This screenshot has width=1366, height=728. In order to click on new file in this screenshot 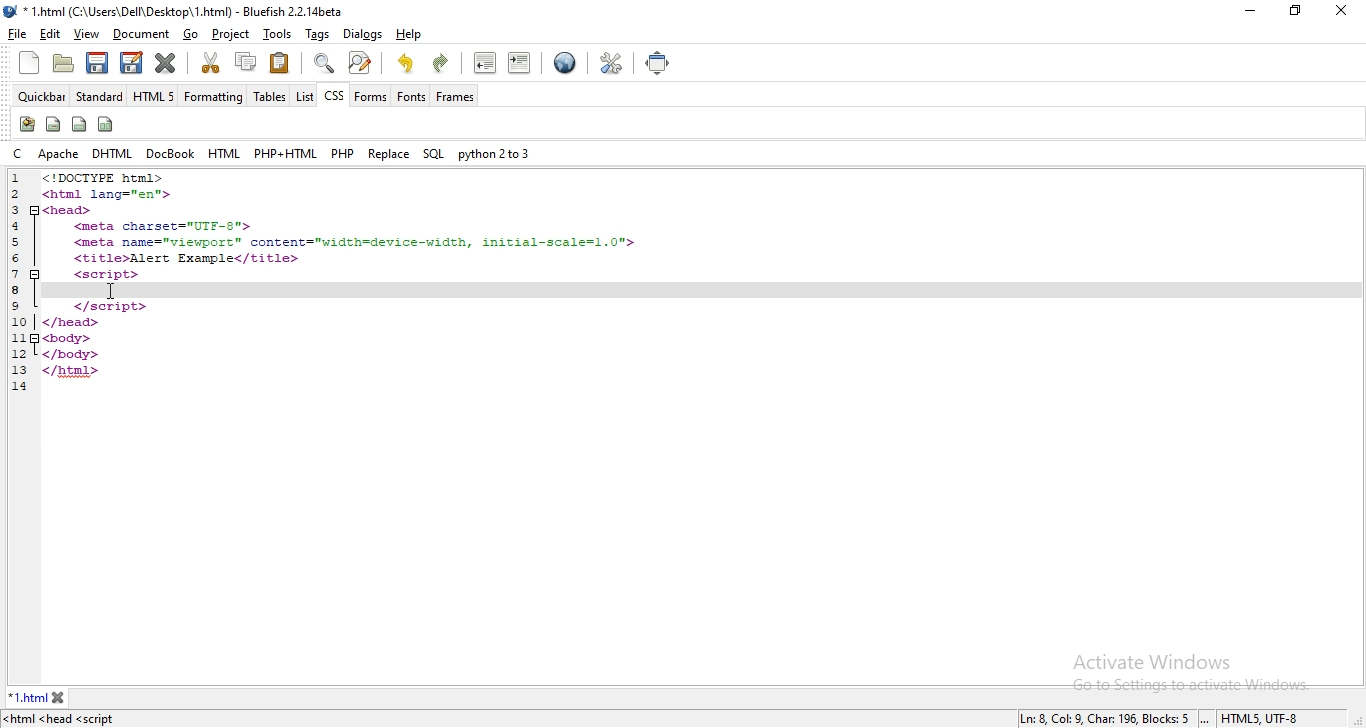, I will do `click(29, 62)`.